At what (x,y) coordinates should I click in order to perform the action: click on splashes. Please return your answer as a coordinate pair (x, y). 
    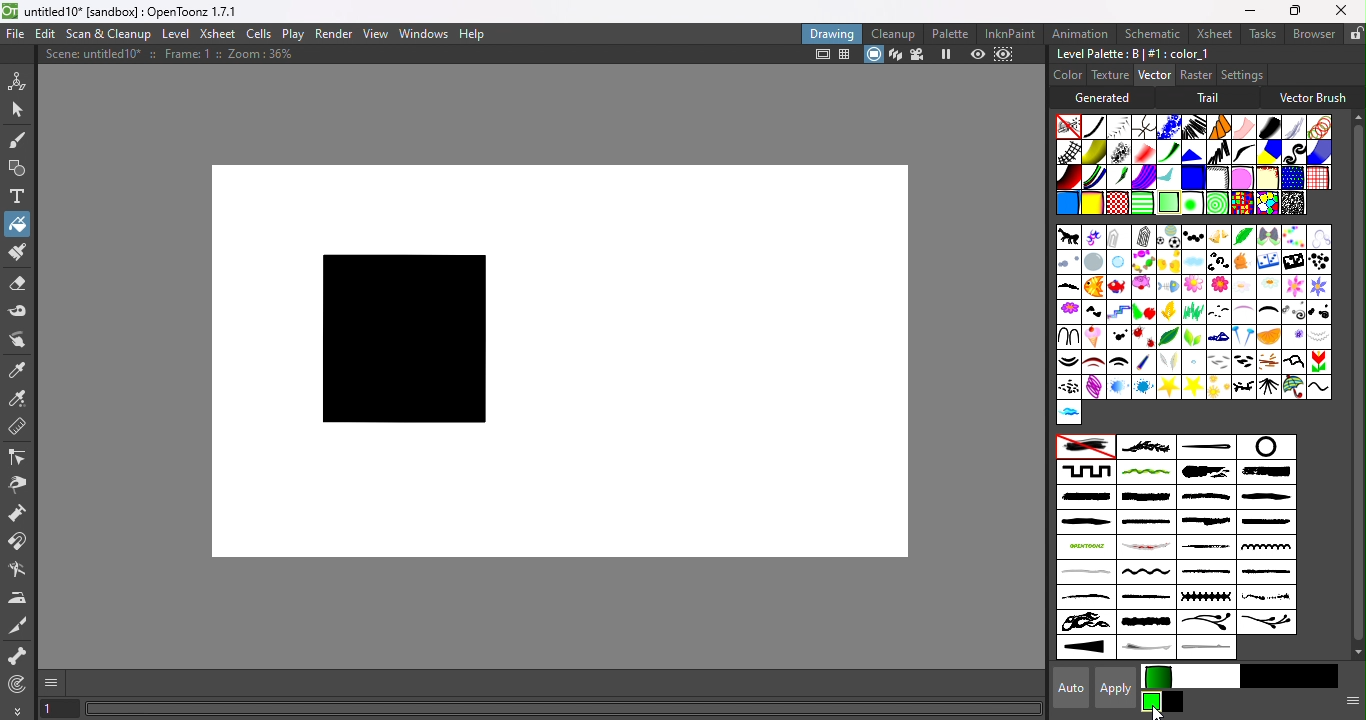
    Looking at the image, I should click on (1266, 598).